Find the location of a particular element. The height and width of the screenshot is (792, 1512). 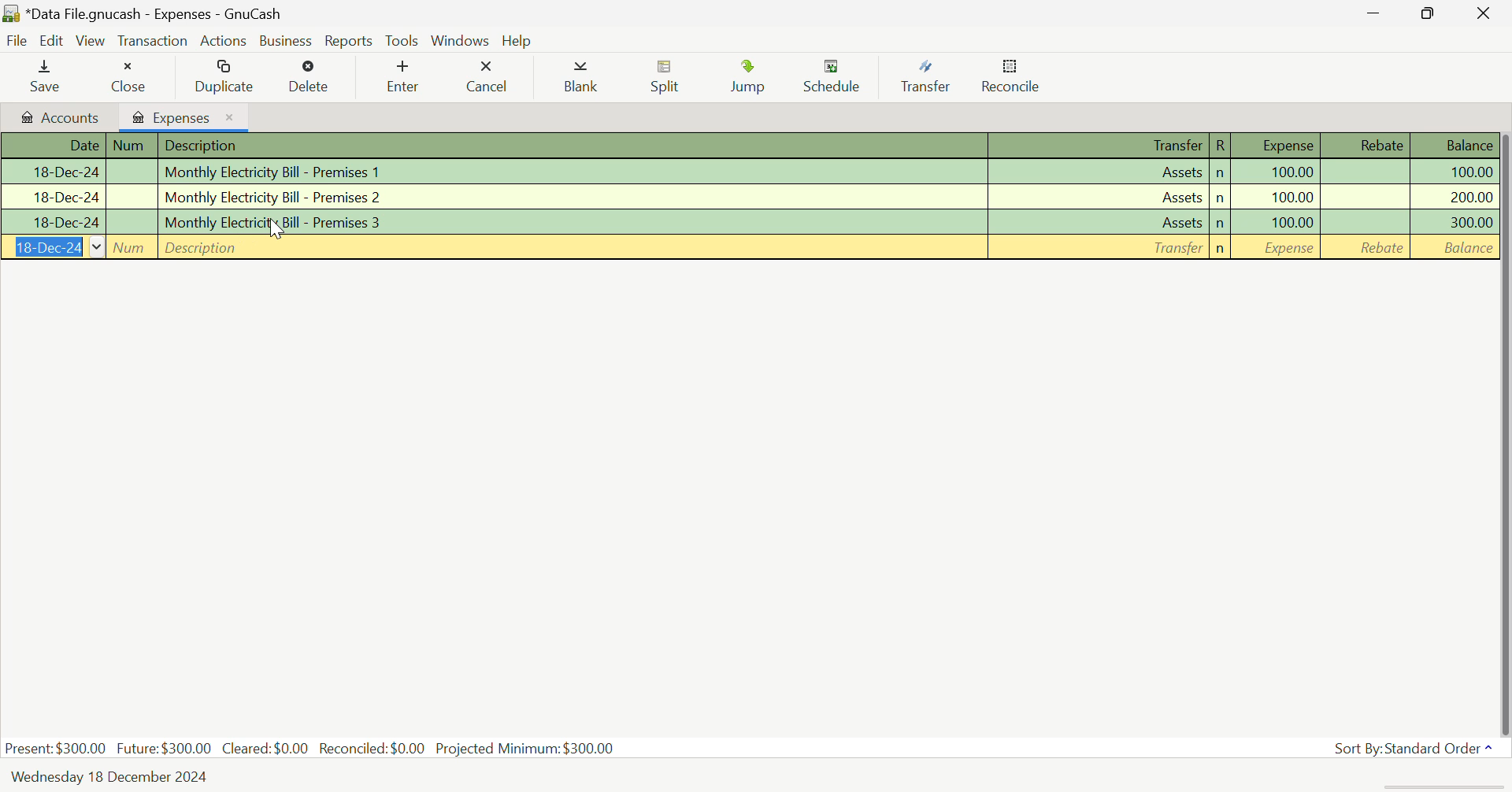

Jump is located at coordinates (753, 80).